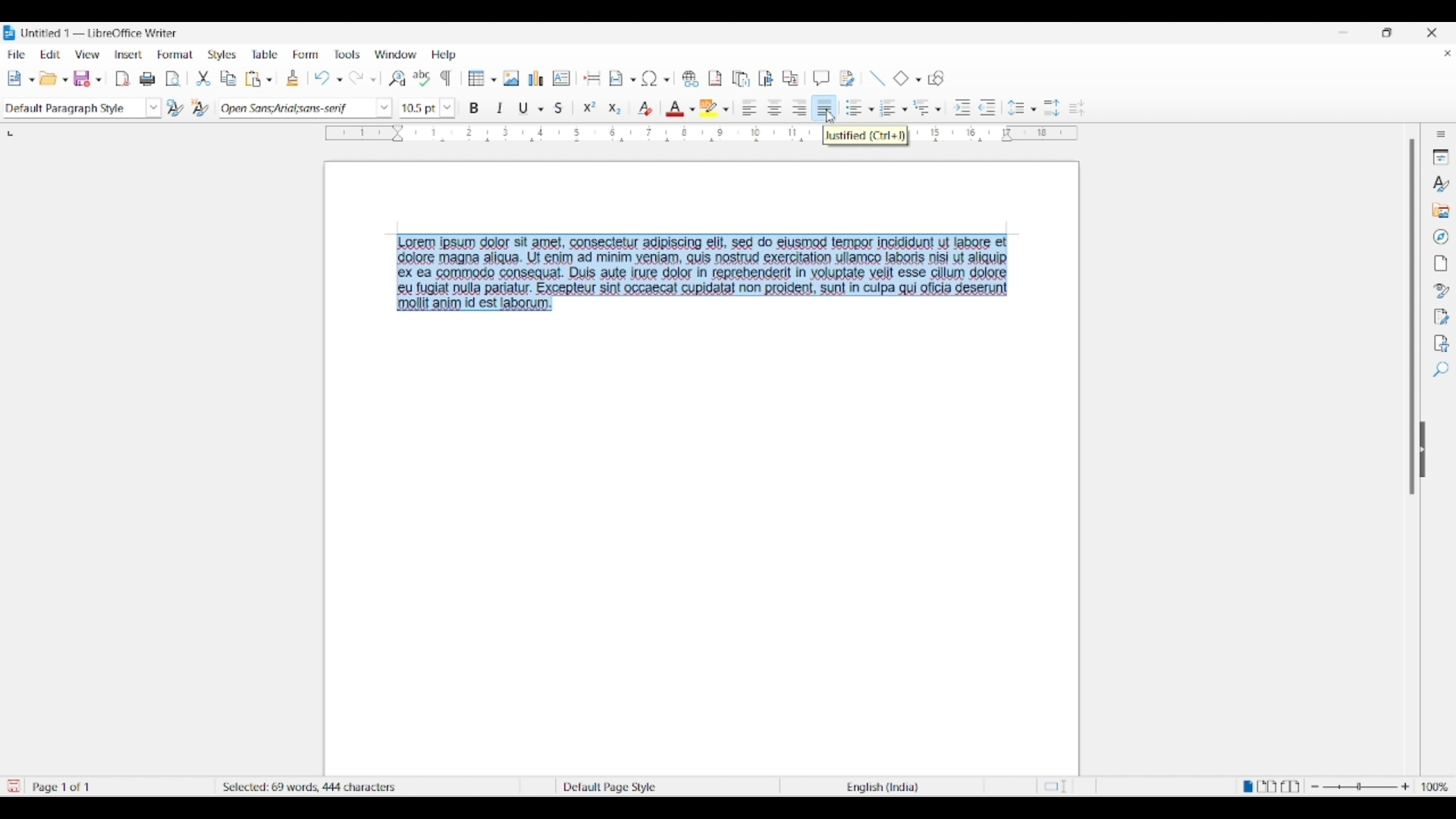 This screenshot has width=1456, height=819. What do you see at coordinates (511, 78) in the screenshot?
I see `Insert image` at bounding box center [511, 78].